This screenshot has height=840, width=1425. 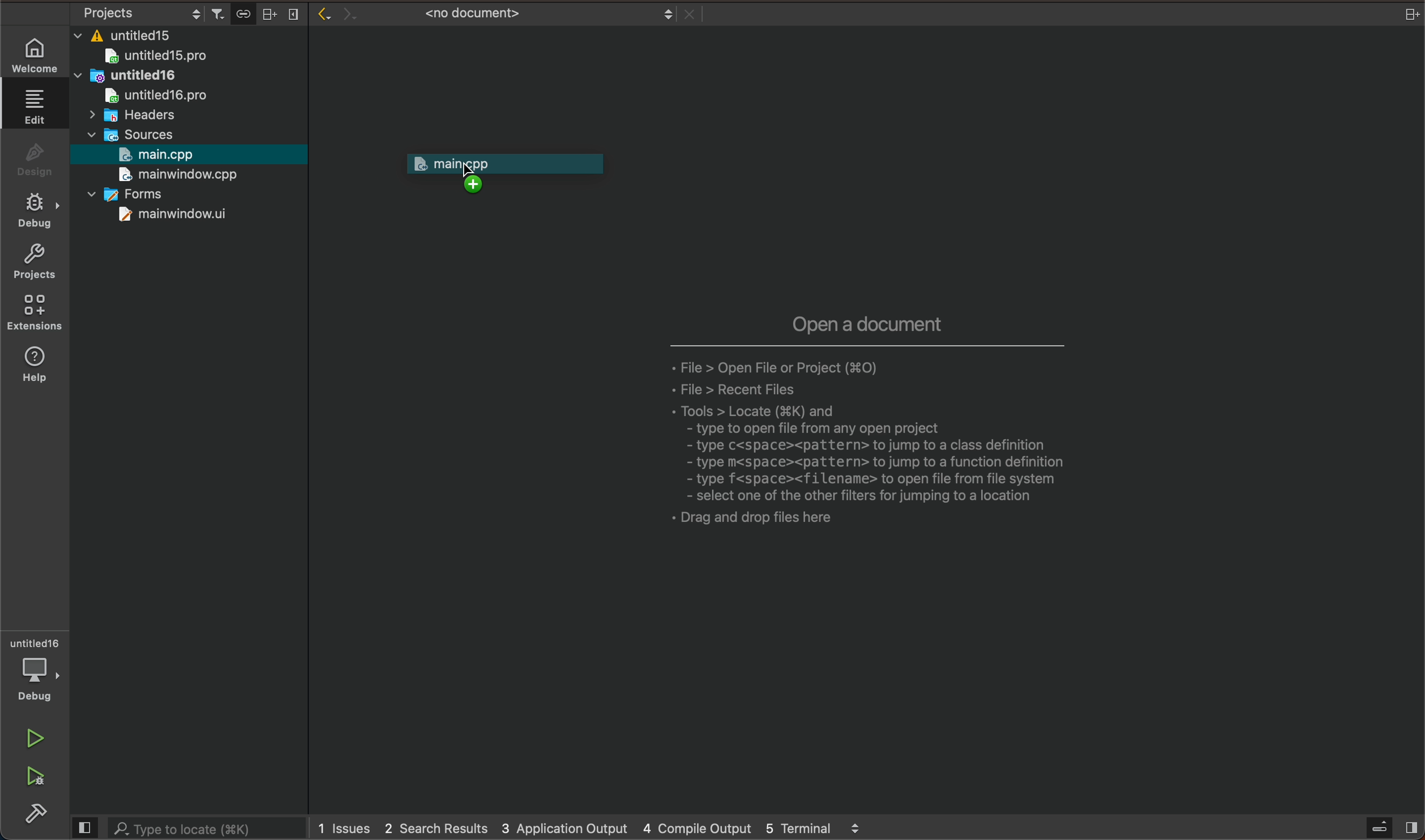 I want to click on run, so click(x=30, y=740).